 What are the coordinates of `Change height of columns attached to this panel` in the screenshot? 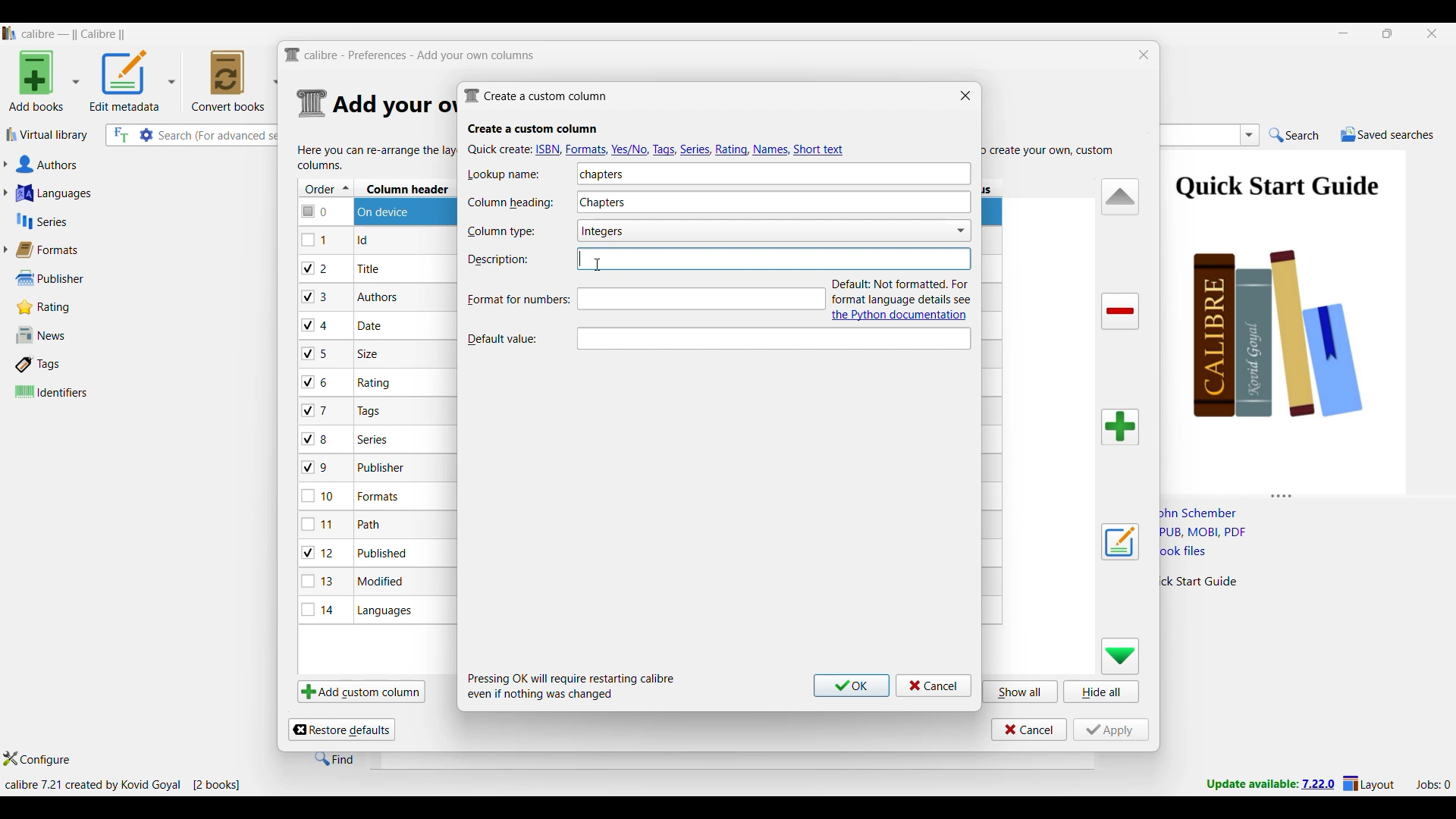 It's located at (1307, 493).